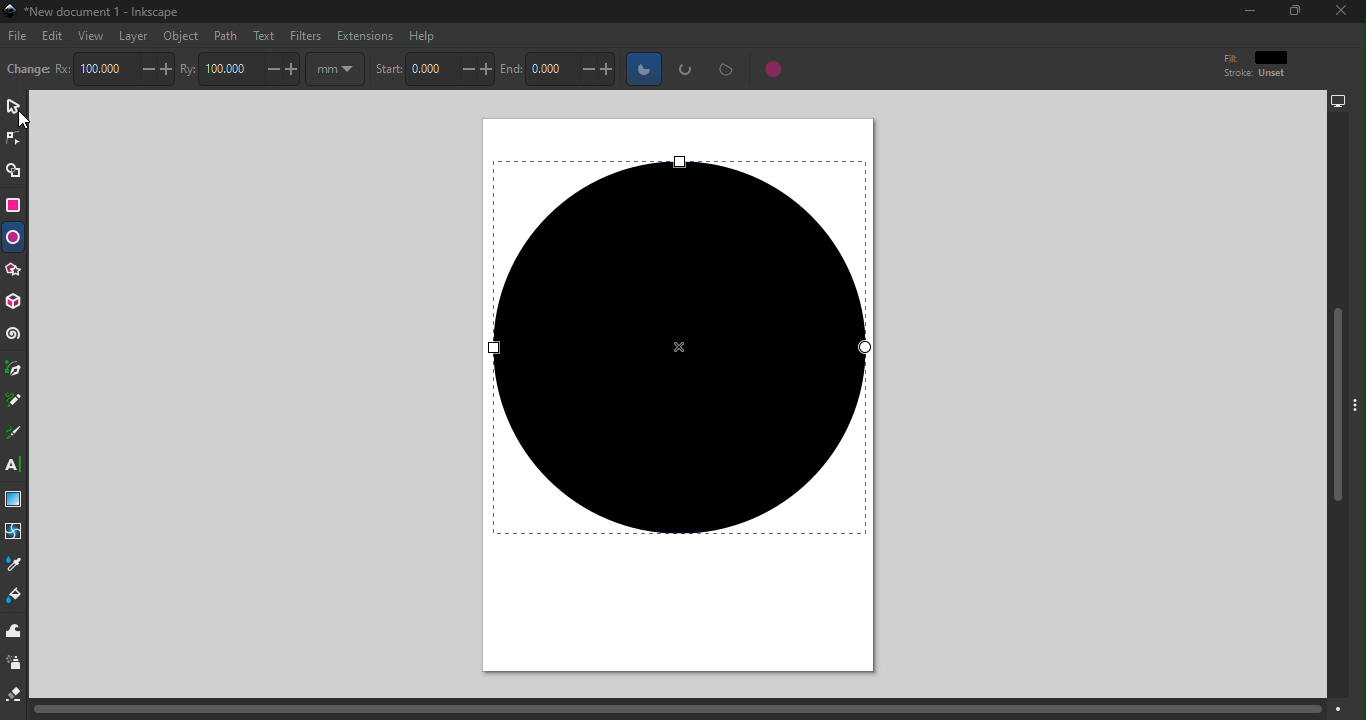 The height and width of the screenshot is (720, 1366). I want to click on Filters, so click(305, 36).